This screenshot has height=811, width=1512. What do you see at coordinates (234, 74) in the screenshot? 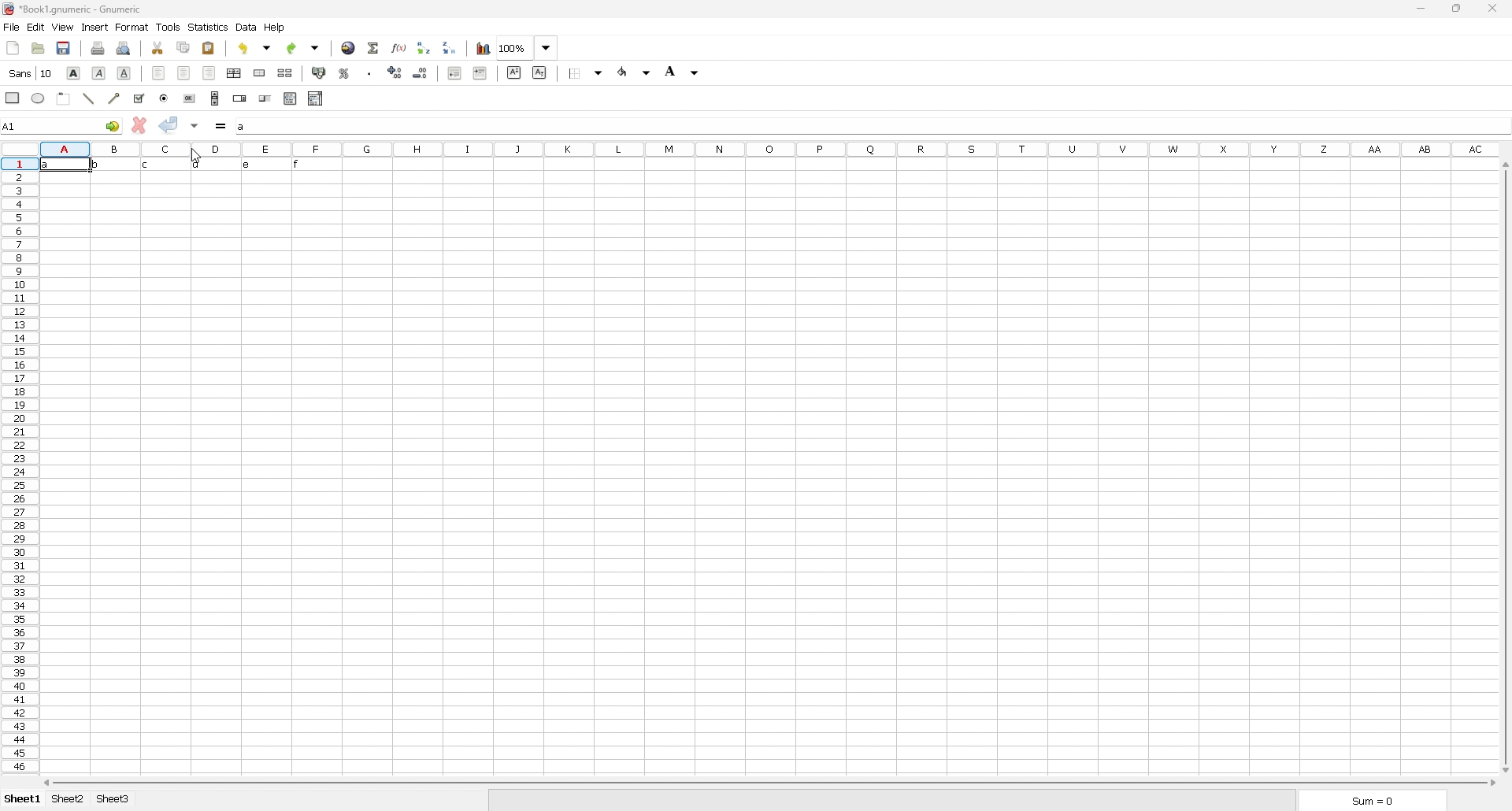
I see `centre horizontally` at bounding box center [234, 74].